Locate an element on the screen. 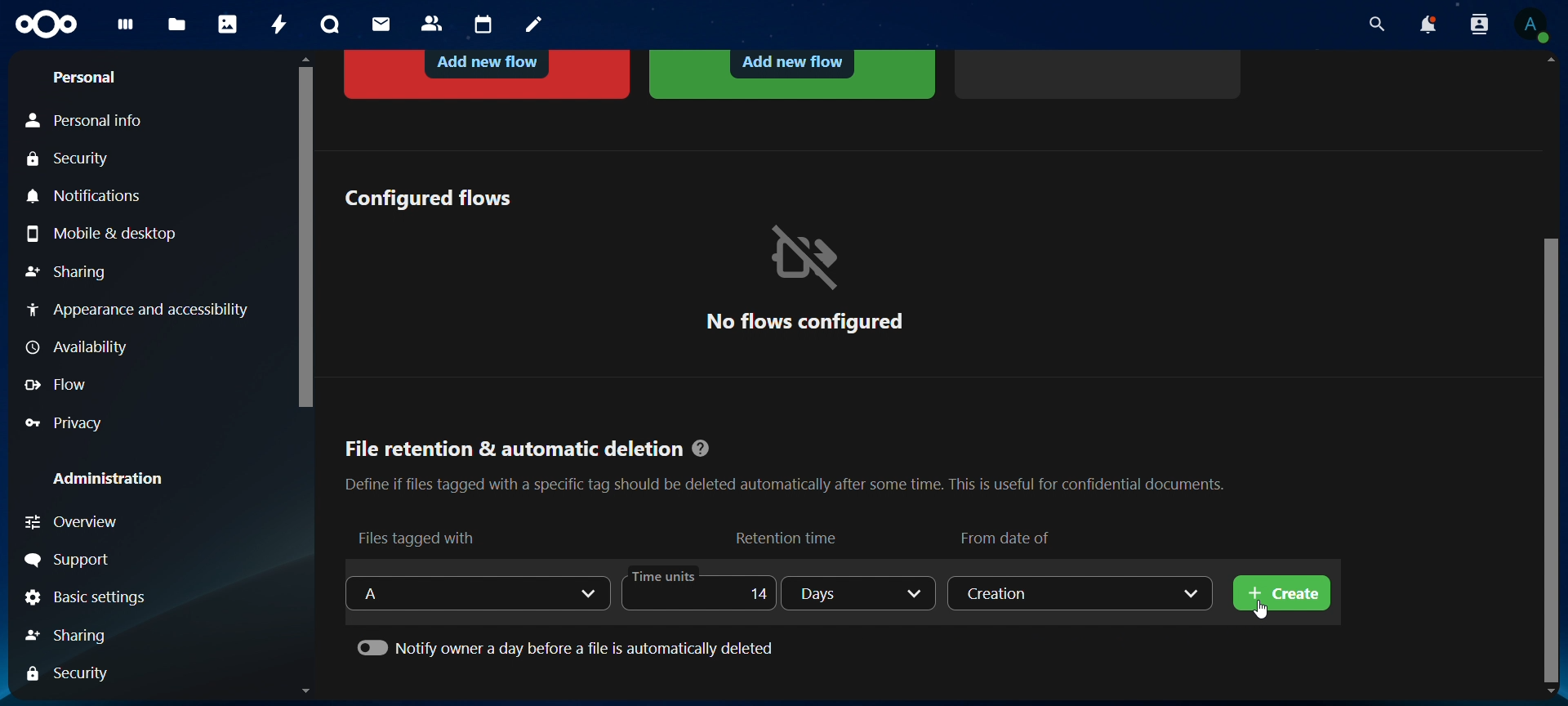 The width and height of the screenshot is (1568, 706). select a tag is located at coordinates (413, 593).